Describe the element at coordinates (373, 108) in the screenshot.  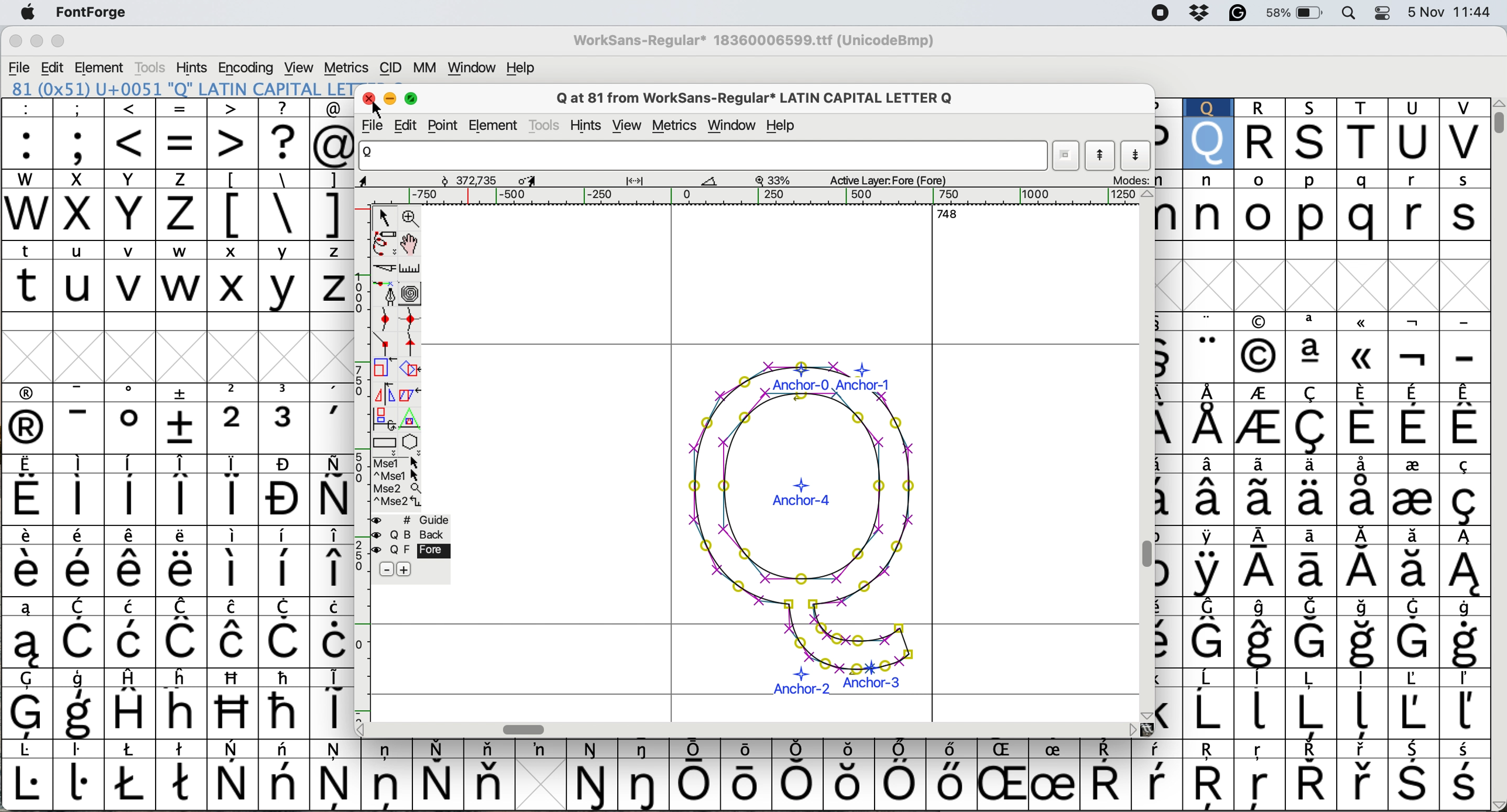
I see `cursor` at that location.